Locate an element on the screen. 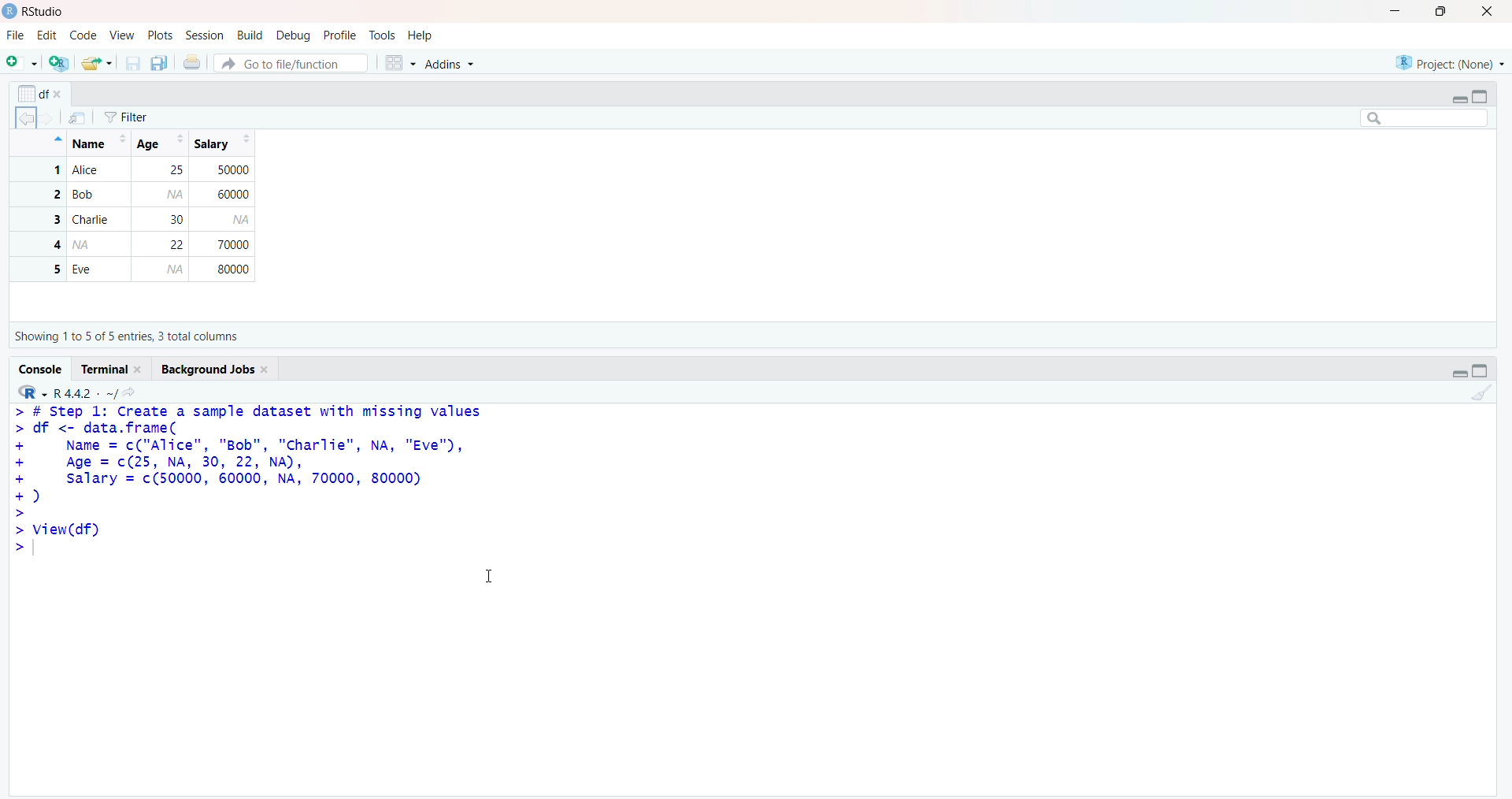  Profile is located at coordinates (341, 34).